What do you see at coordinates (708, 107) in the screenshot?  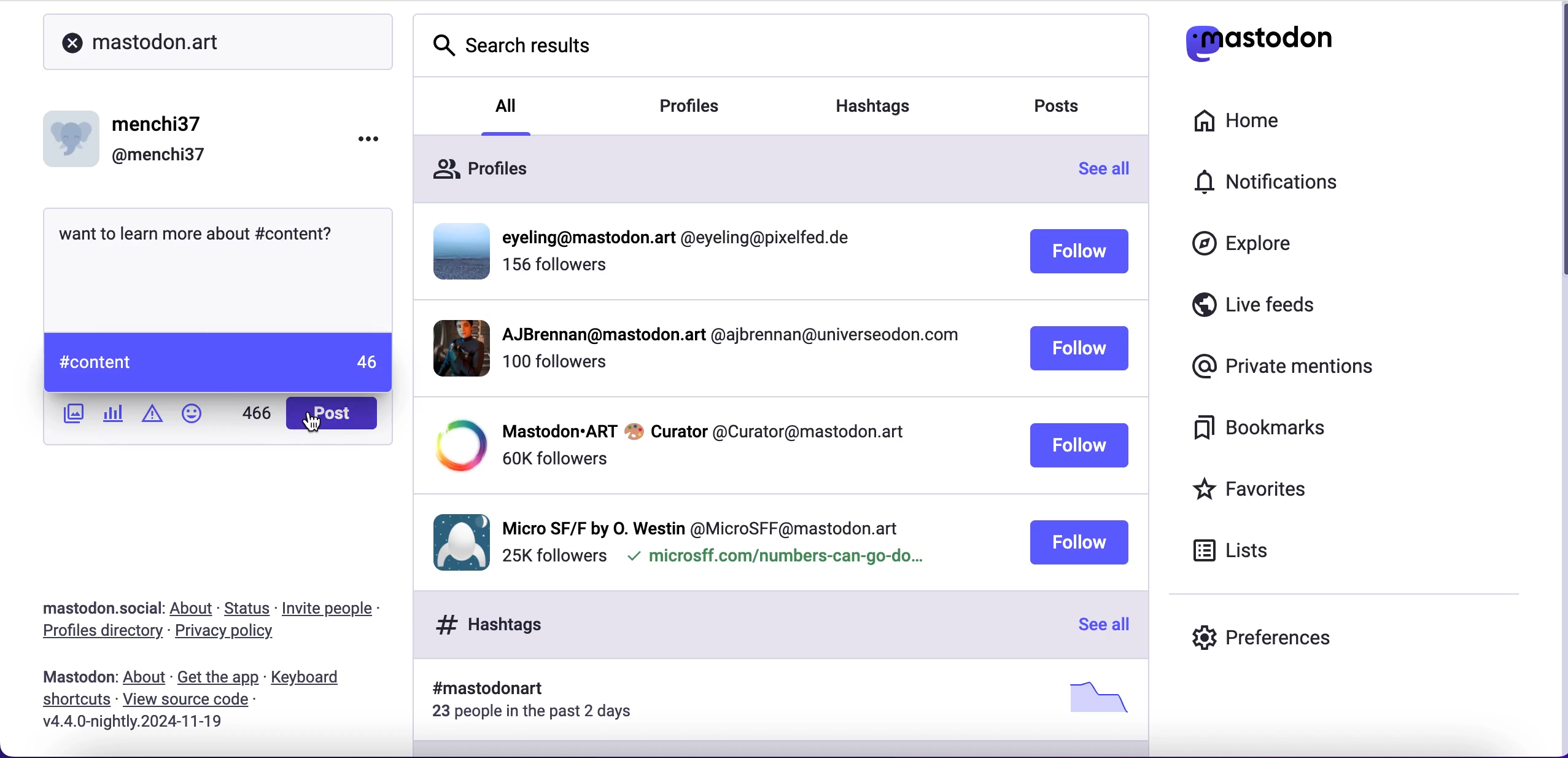 I see `profiles` at bounding box center [708, 107].